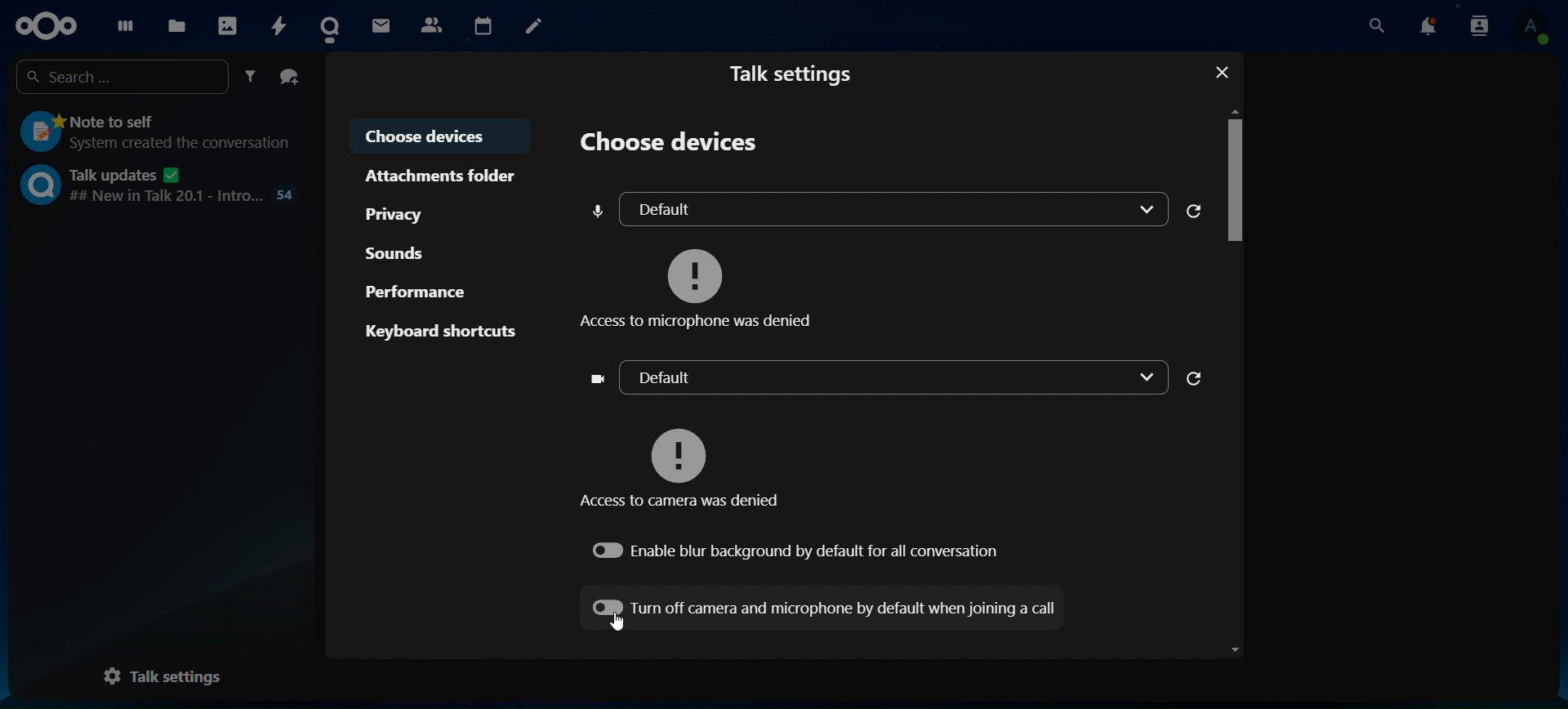 Image resolution: width=1568 pixels, height=709 pixels. What do you see at coordinates (289, 75) in the screenshot?
I see `create  a group` at bounding box center [289, 75].